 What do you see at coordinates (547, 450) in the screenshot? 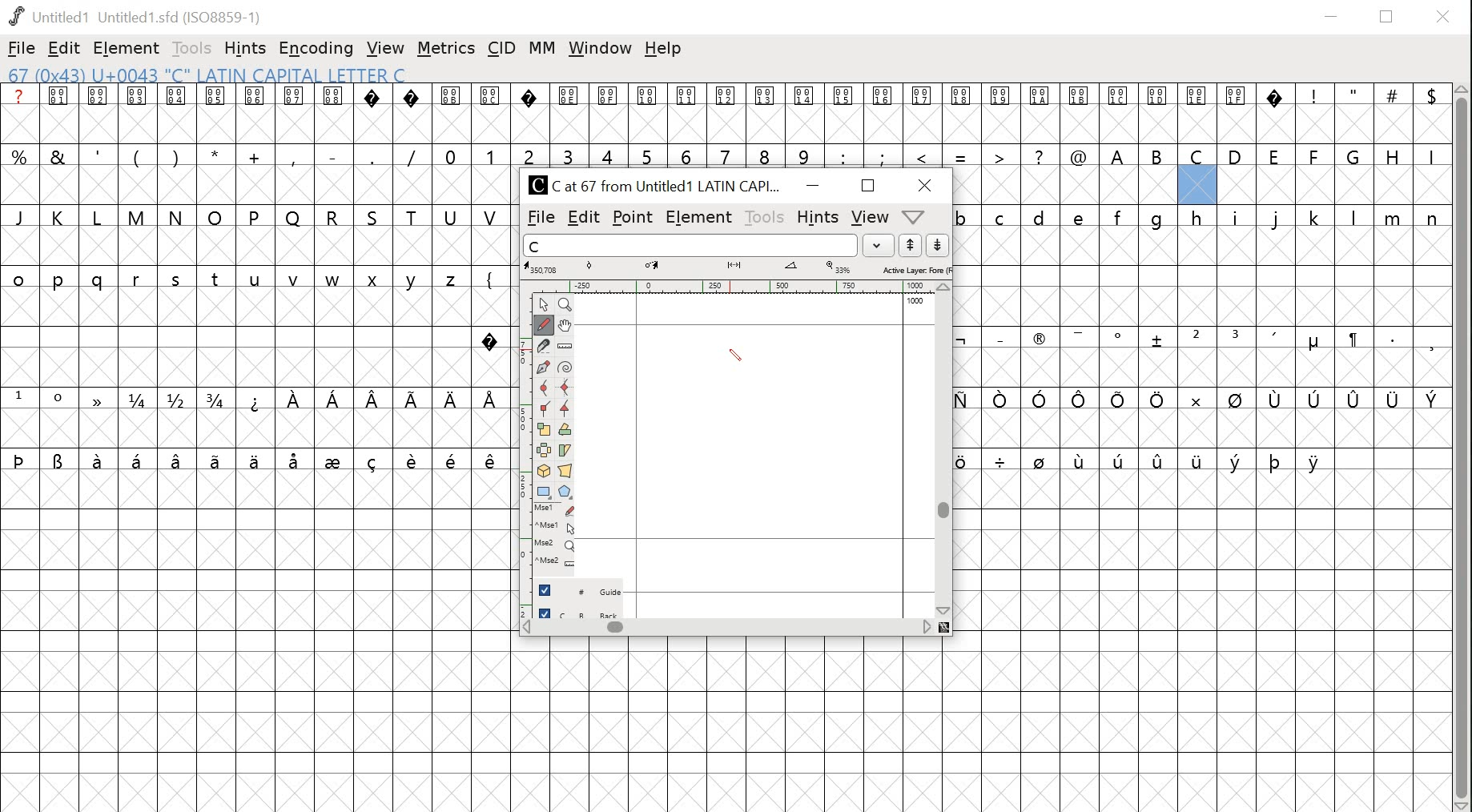
I see `flip` at bounding box center [547, 450].